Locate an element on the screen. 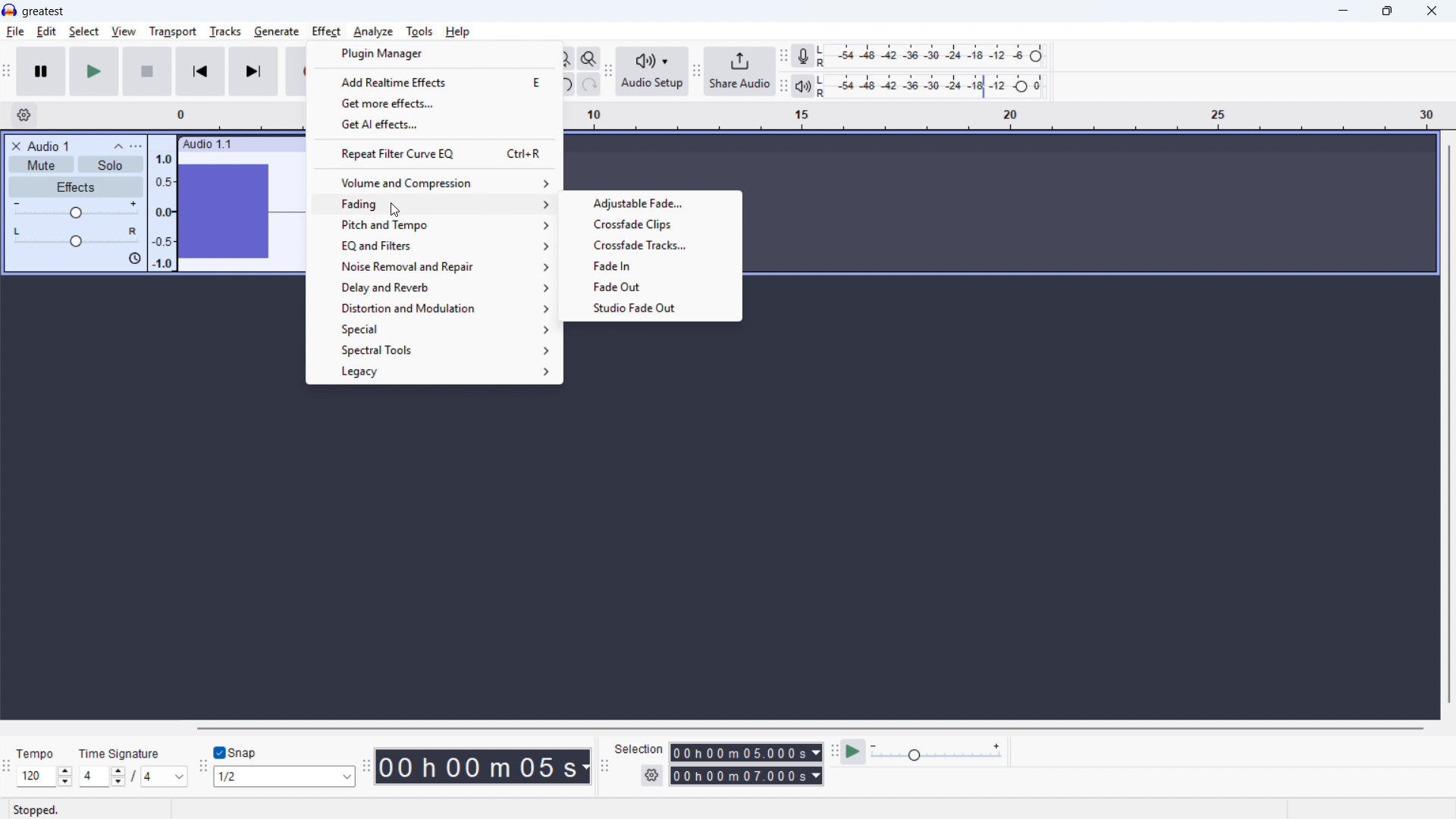 The height and width of the screenshot is (819, 1456). transport is located at coordinates (173, 32).